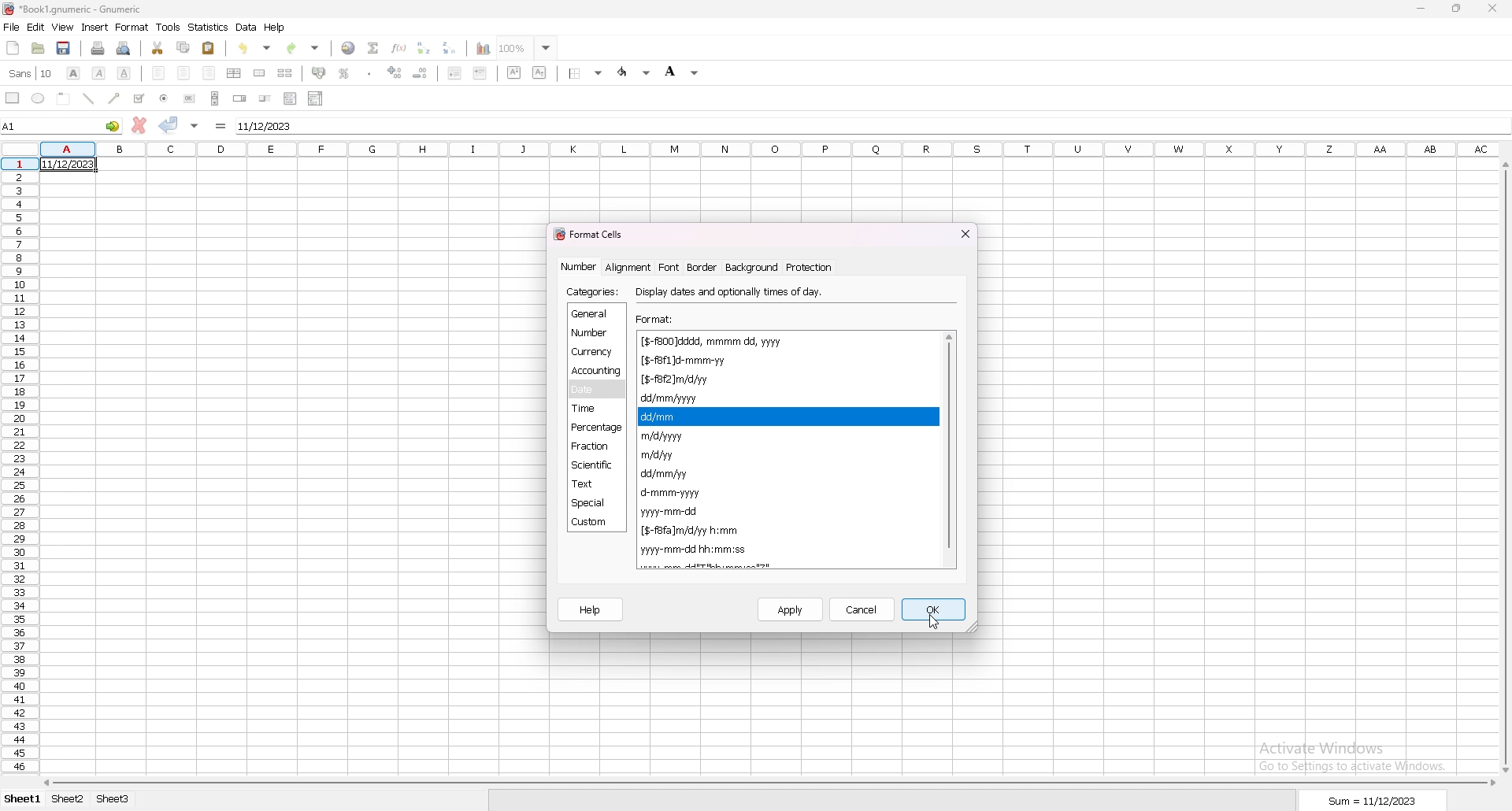 The image size is (1512, 811). Describe the element at coordinates (61, 28) in the screenshot. I see `view` at that location.